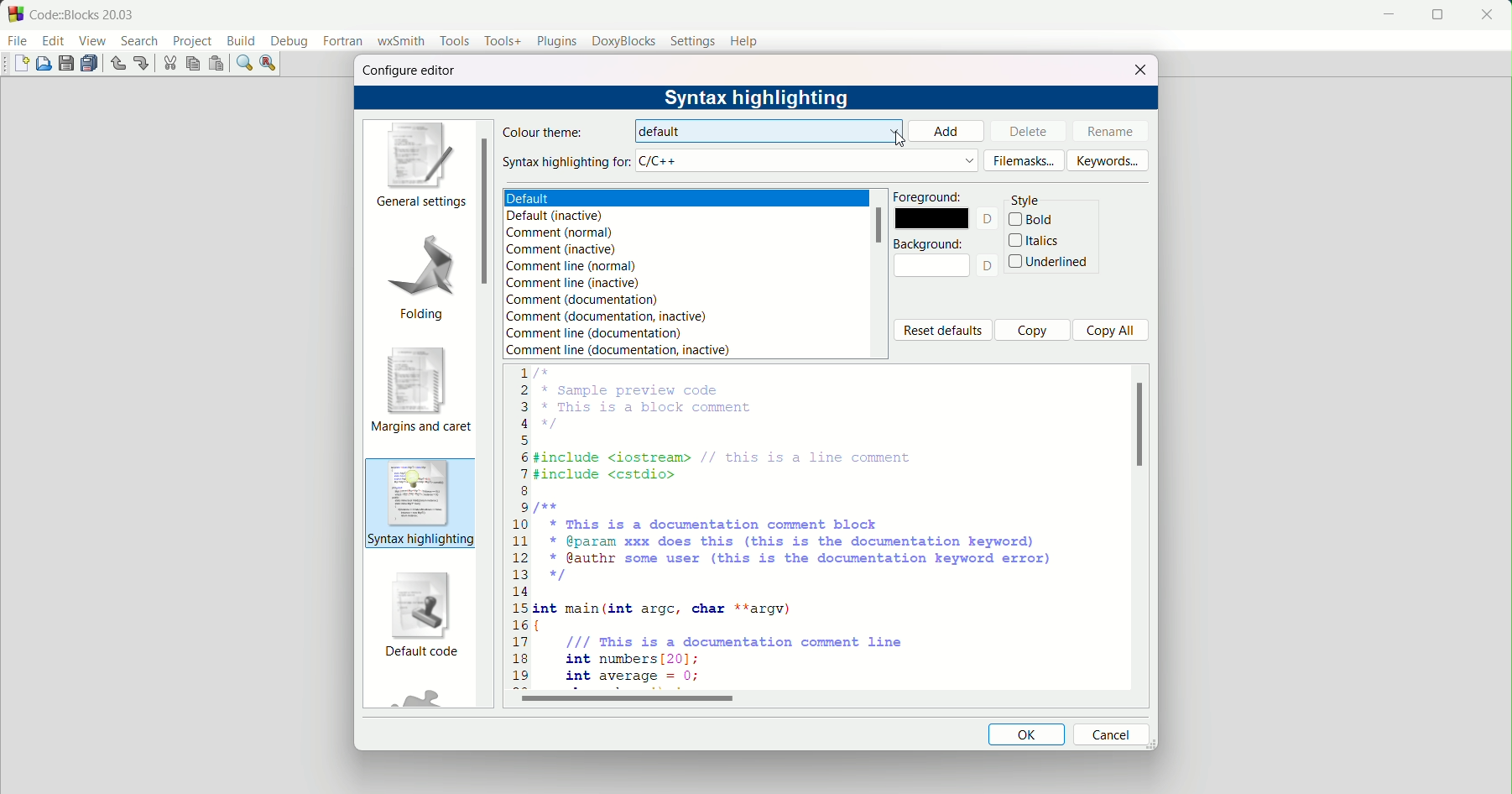 This screenshot has width=1512, height=794. I want to click on scroll bar, so click(1140, 426).